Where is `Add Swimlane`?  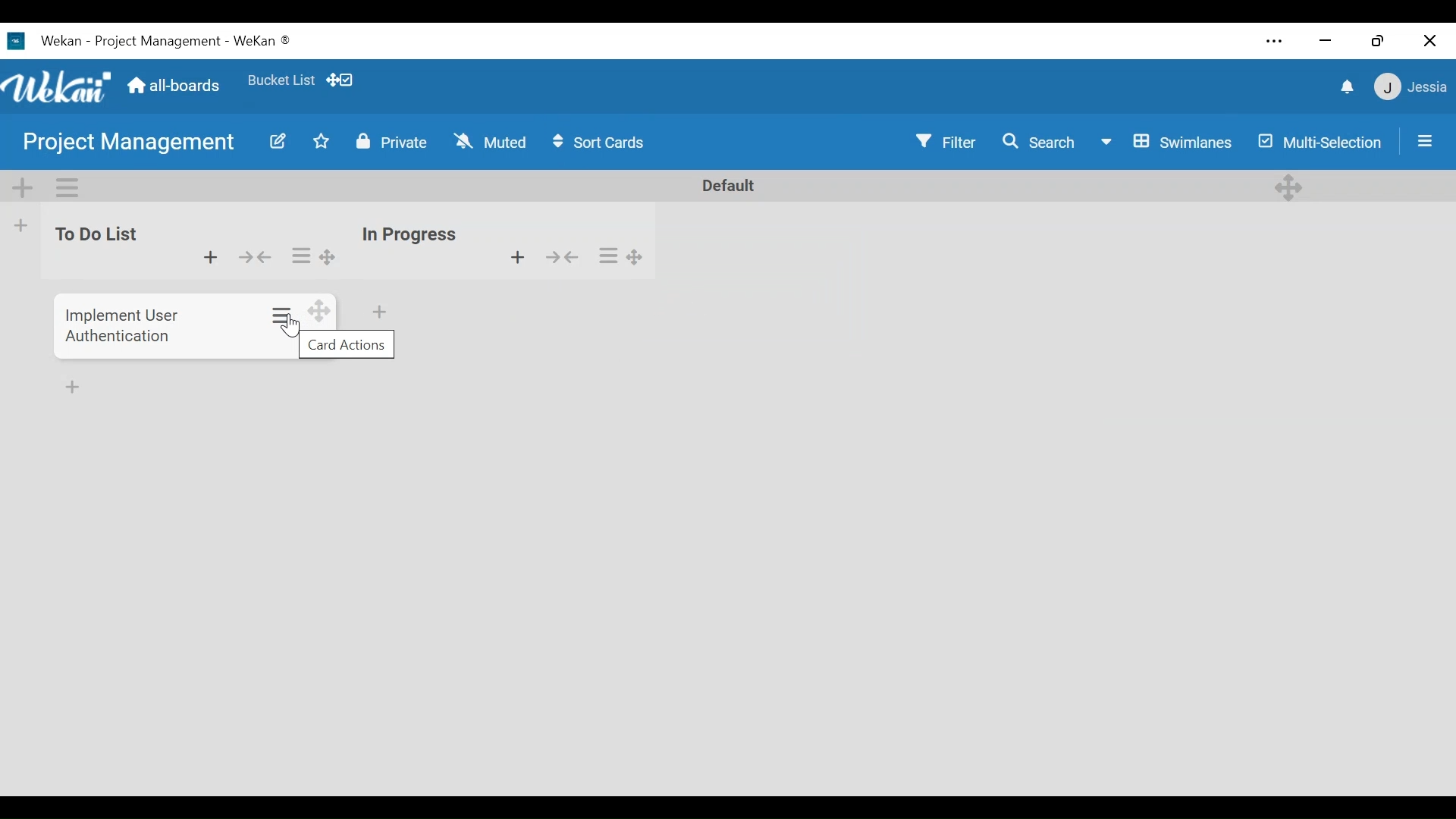
Add Swimlane is located at coordinates (24, 188).